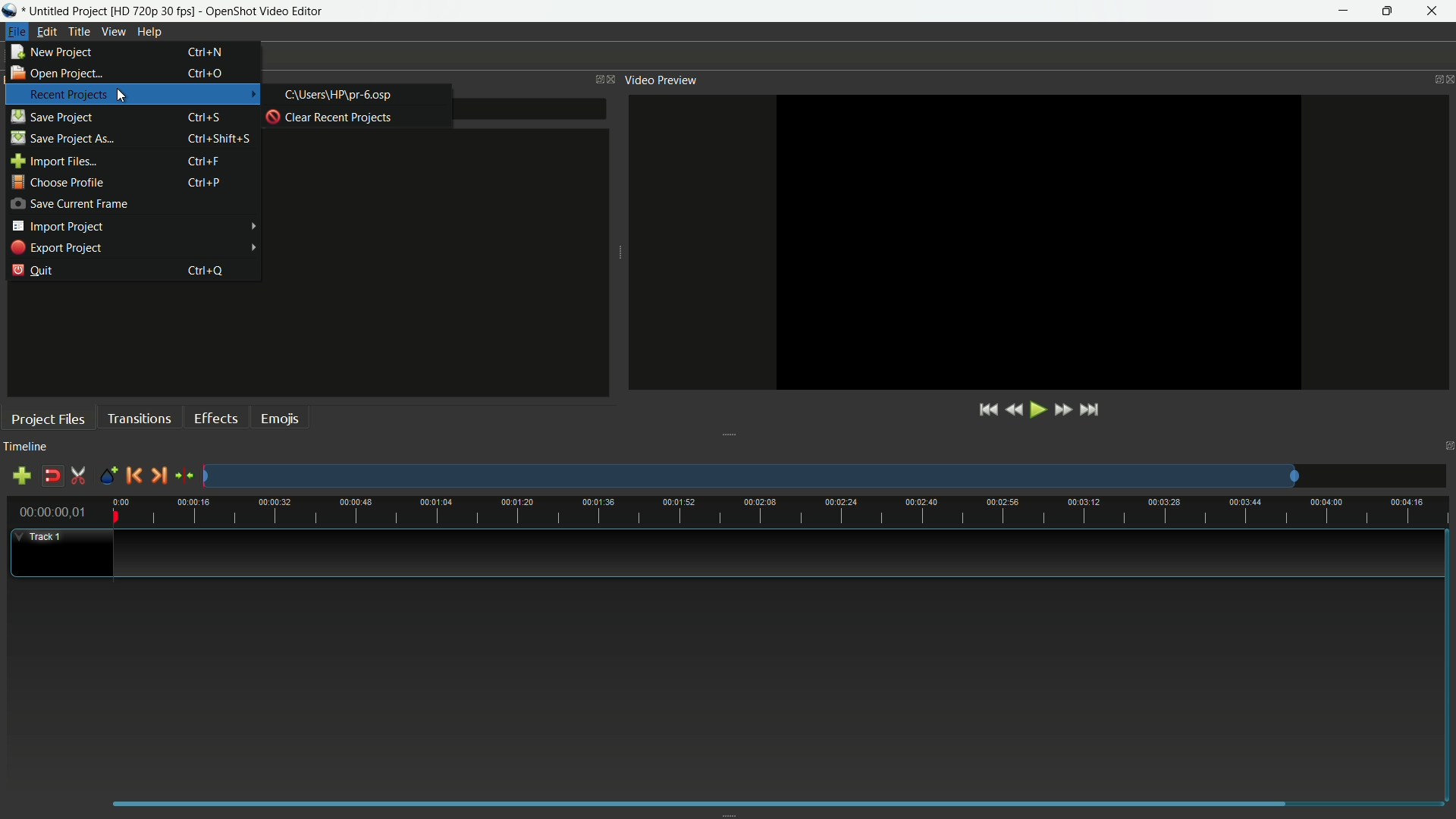 The image size is (1456, 819). What do you see at coordinates (595, 80) in the screenshot?
I see `change layout` at bounding box center [595, 80].